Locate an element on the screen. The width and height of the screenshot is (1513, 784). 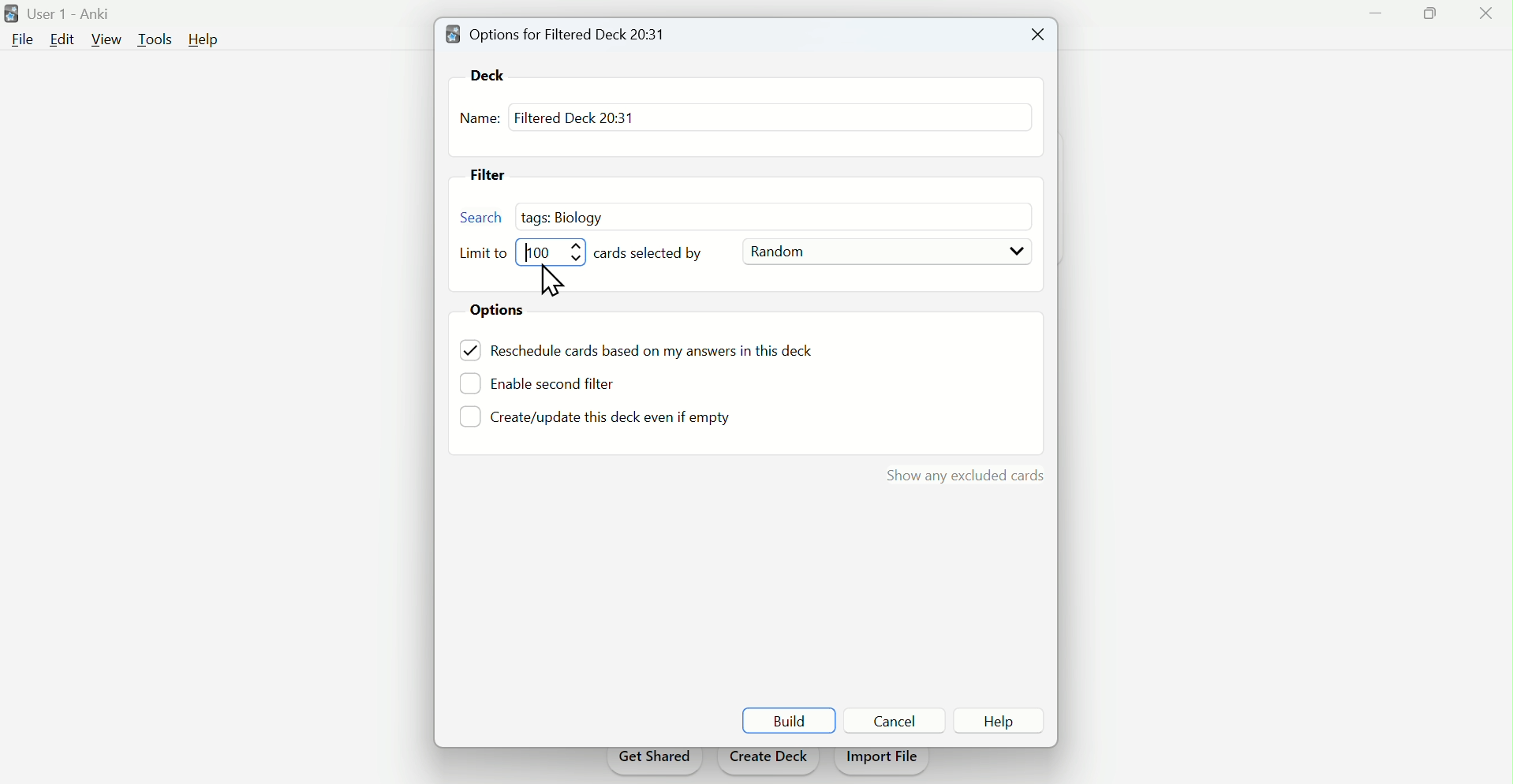
Options for filtered deck 20: 31 is located at coordinates (561, 33).